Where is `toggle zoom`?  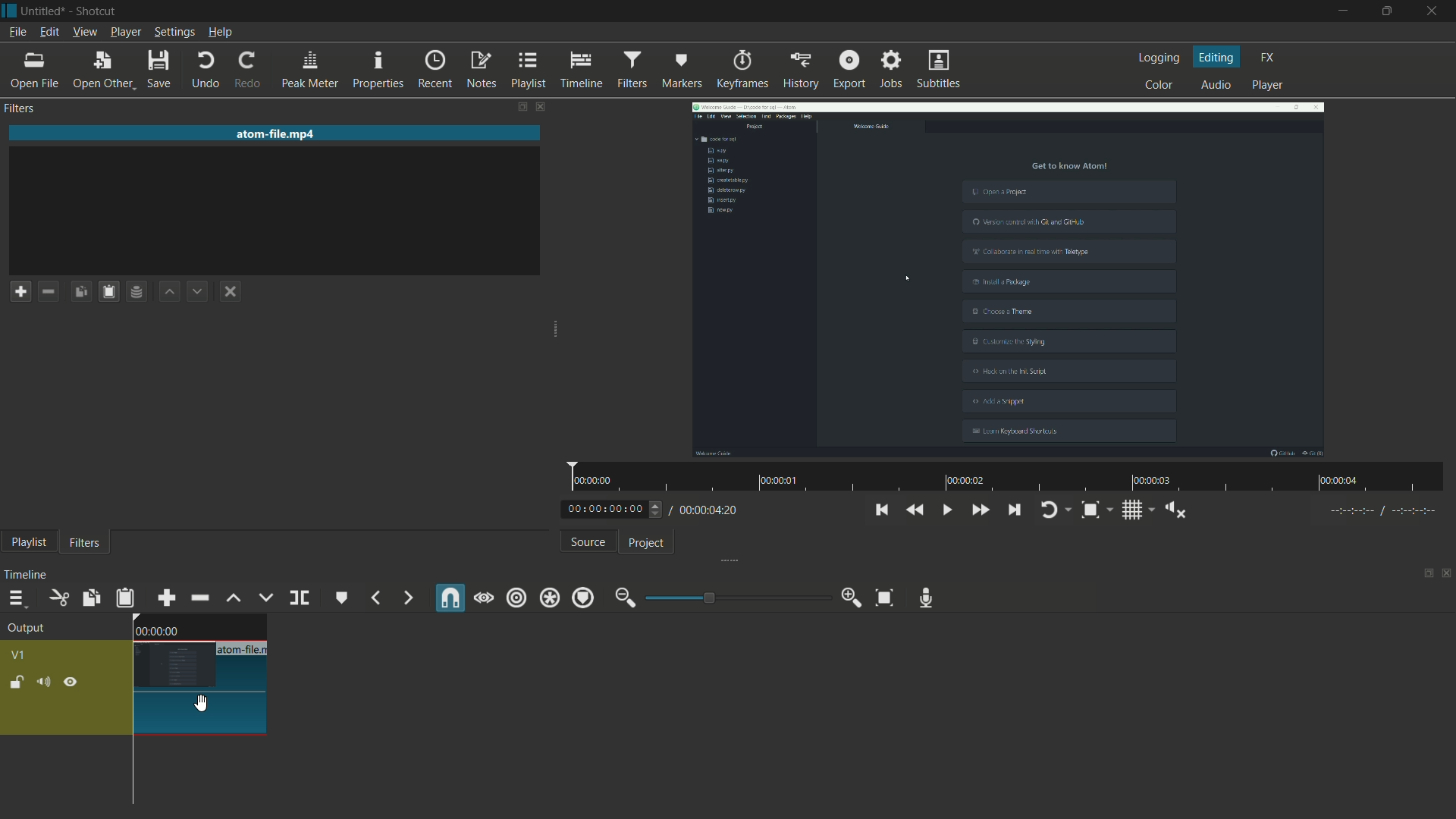
toggle zoom is located at coordinates (1090, 510).